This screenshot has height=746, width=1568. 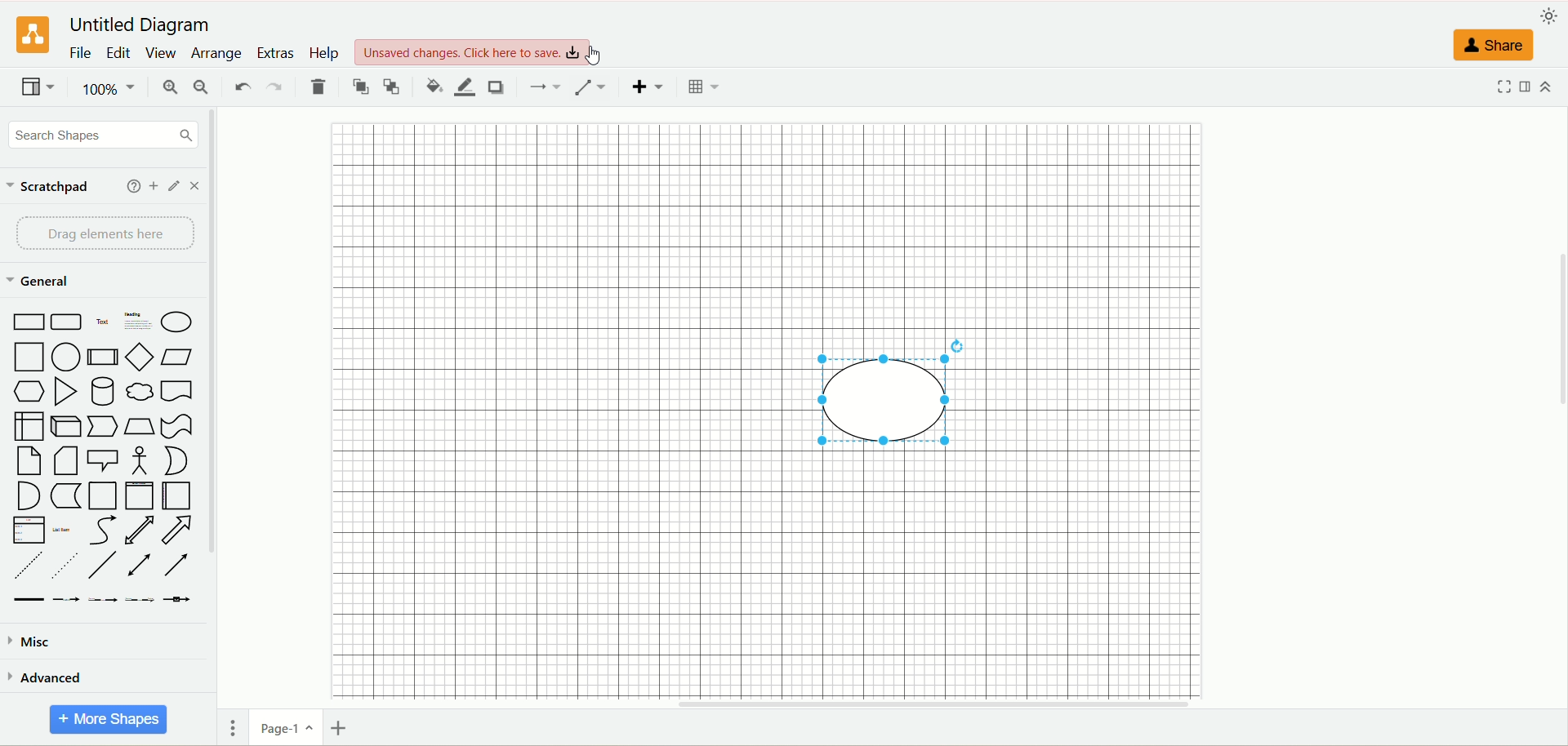 What do you see at coordinates (47, 189) in the screenshot?
I see `scratchpad` at bounding box center [47, 189].